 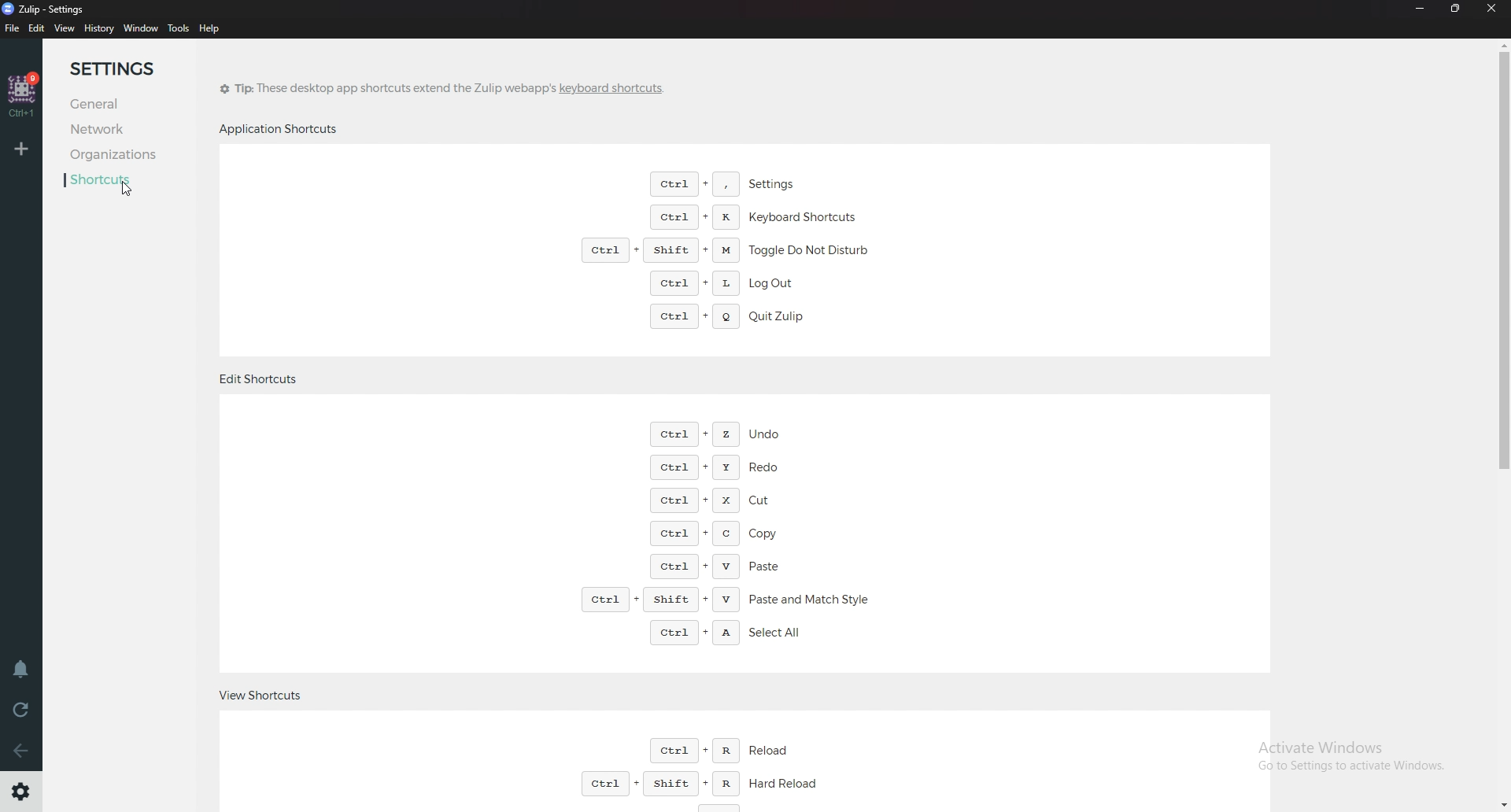 What do you see at coordinates (710, 503) in the screenshot?
I see `Cut` at bounding box center [710, 503].